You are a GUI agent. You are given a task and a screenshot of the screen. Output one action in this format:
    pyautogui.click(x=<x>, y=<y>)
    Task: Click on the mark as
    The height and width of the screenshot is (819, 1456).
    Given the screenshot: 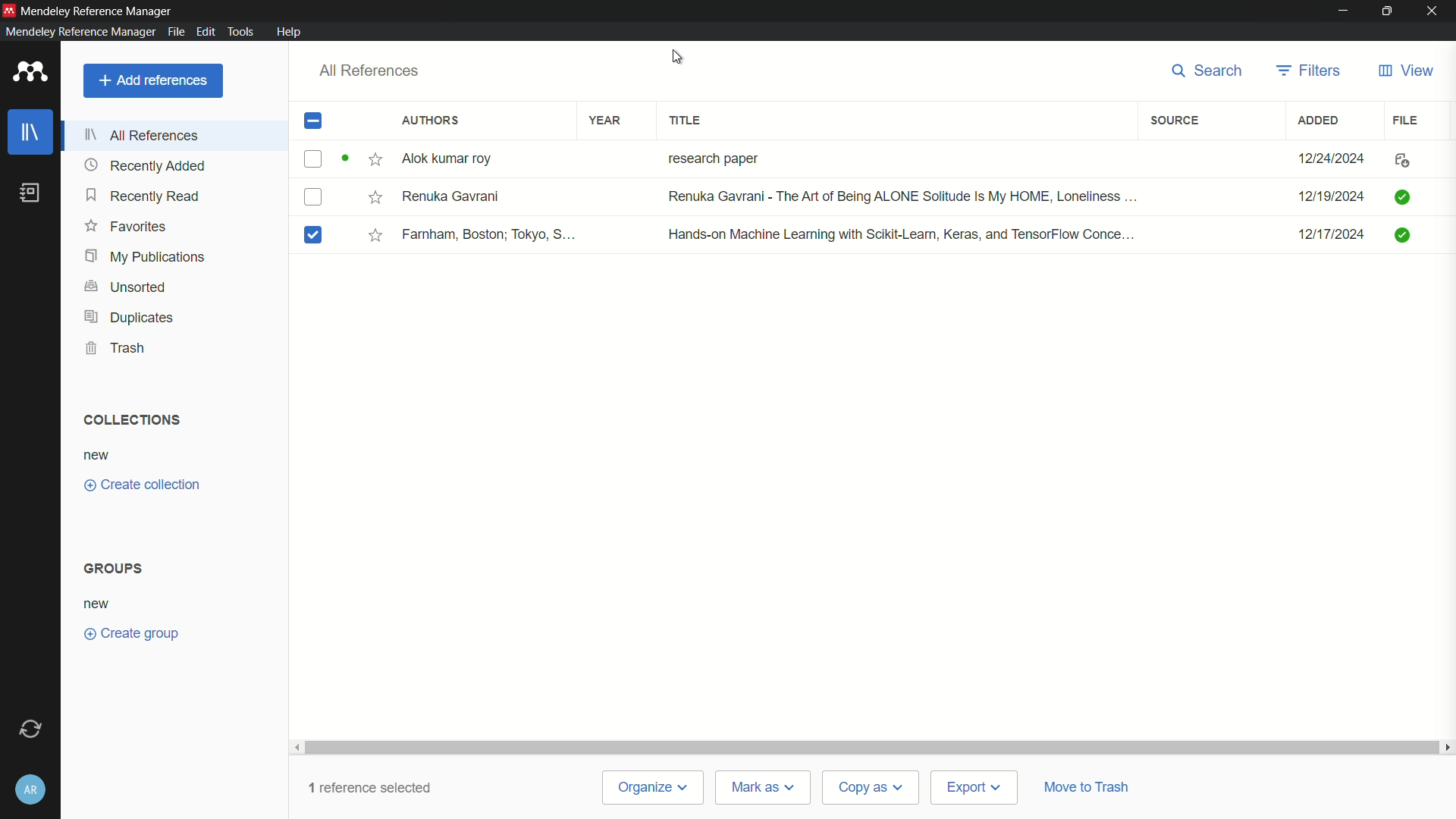 What is the action you would take?
    pyautogui.click(x=764, y=788)
    